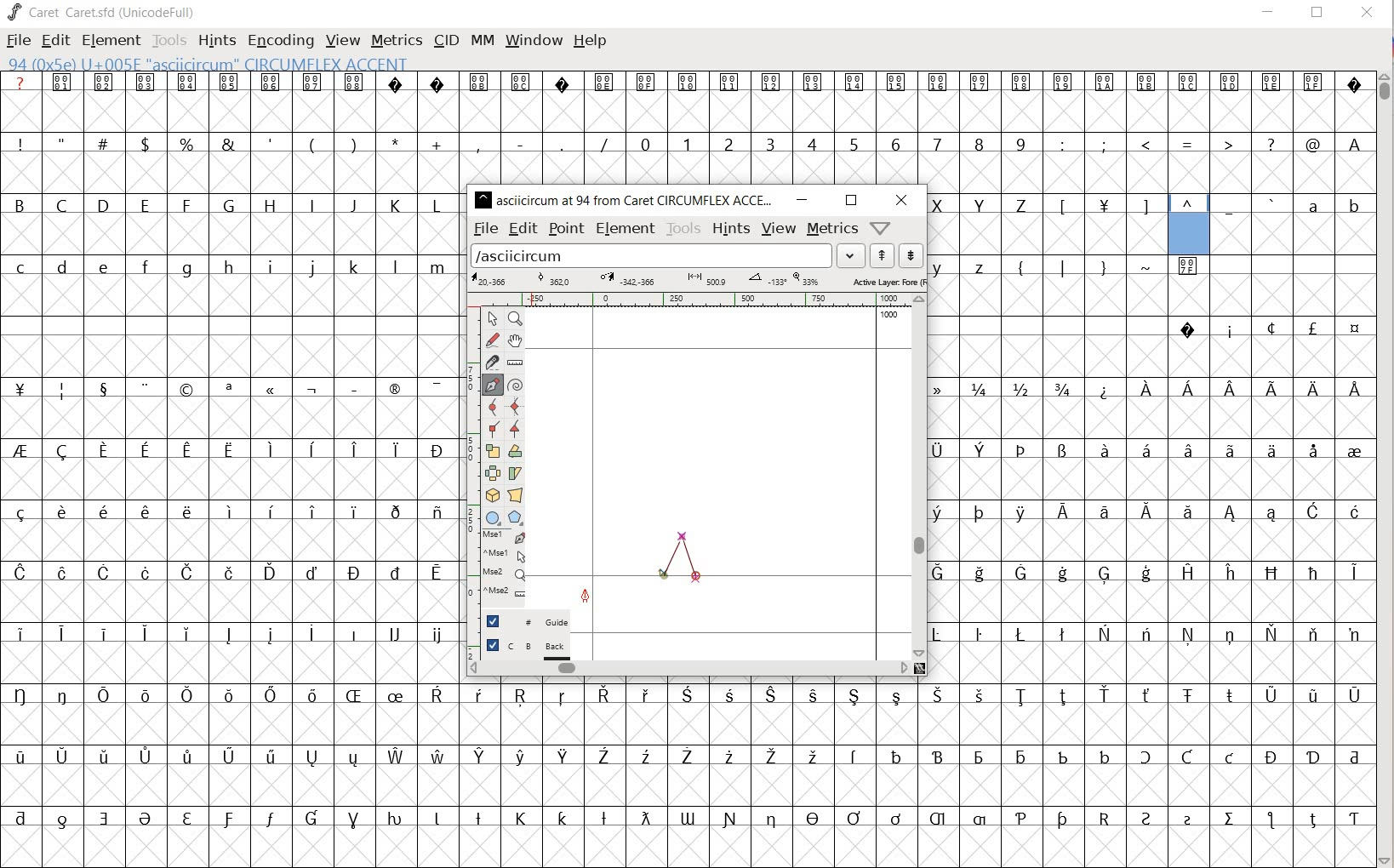 The image size is (1394, 868). I want to click on load word list, so click(667, 257).